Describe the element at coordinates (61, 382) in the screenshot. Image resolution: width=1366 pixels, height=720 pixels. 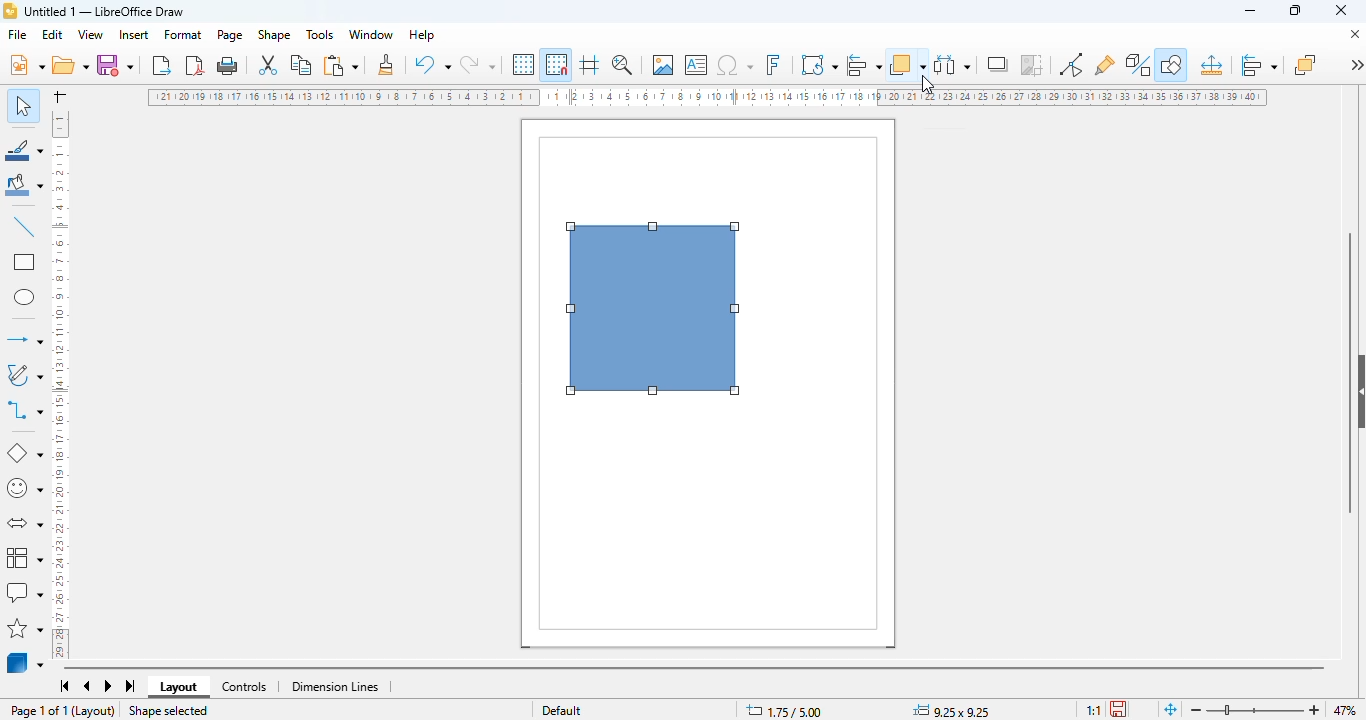
I see `ruler` at that location.